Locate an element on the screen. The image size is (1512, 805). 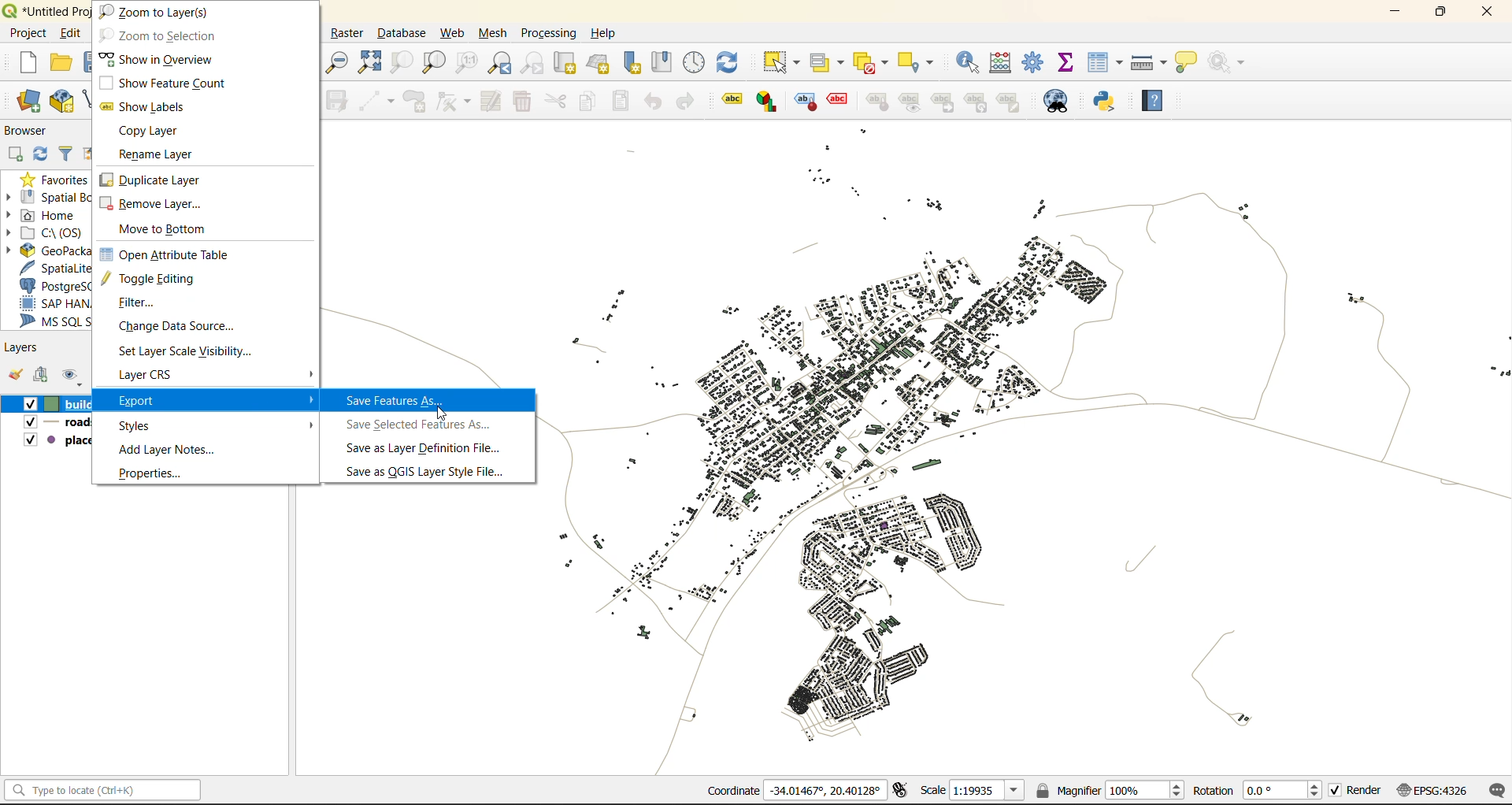
save edits is located at coordinates (336, 99).